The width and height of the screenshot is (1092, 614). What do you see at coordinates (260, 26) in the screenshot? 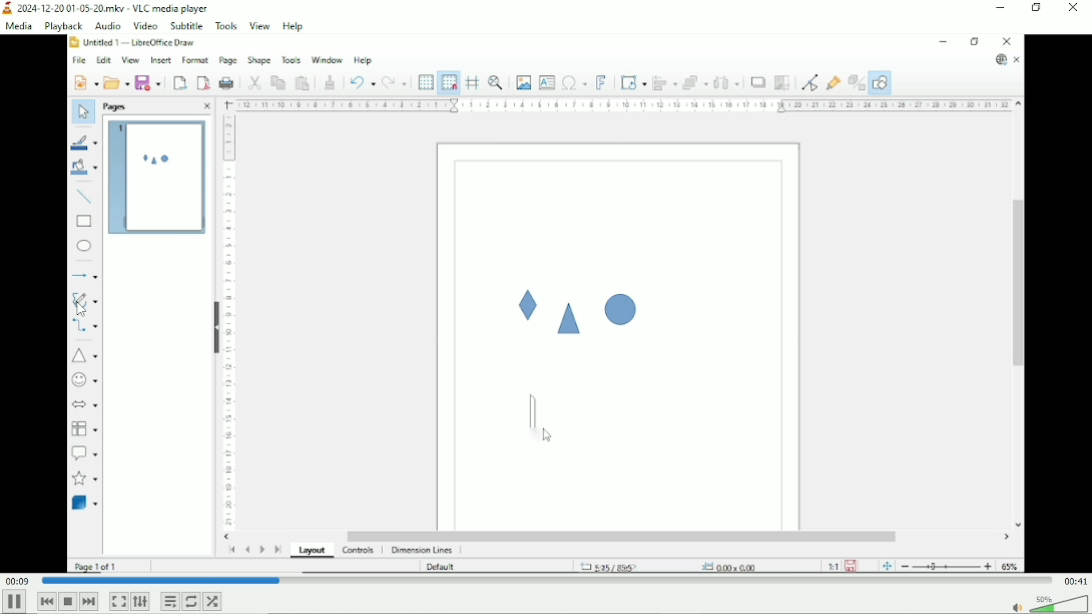
I see `View` at bounding box center [260, 26].